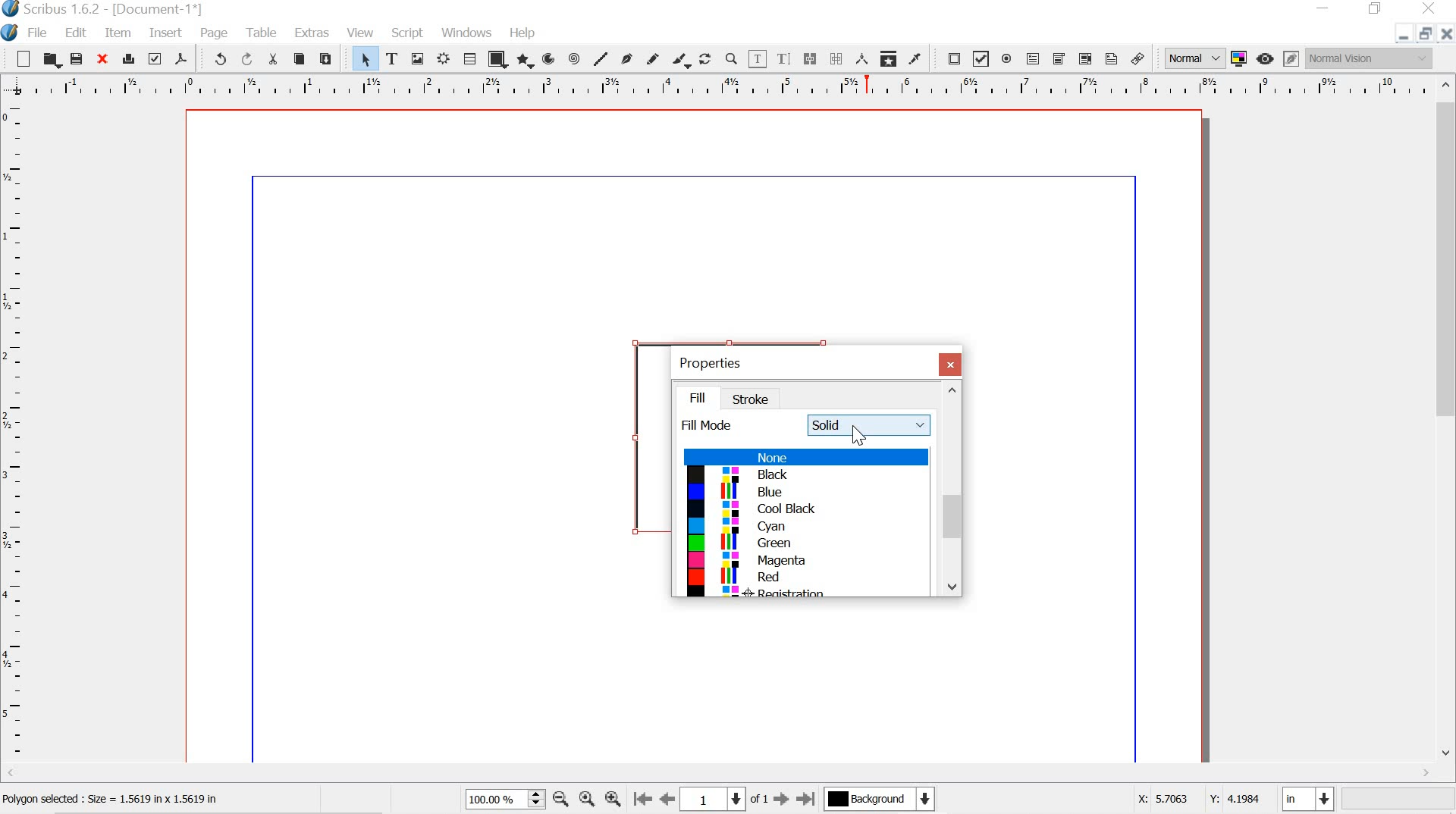 This screenshot has width=1456, height=814. Describe the element at coordinates (52, 59) in the screenshot. I see `open` at that location.